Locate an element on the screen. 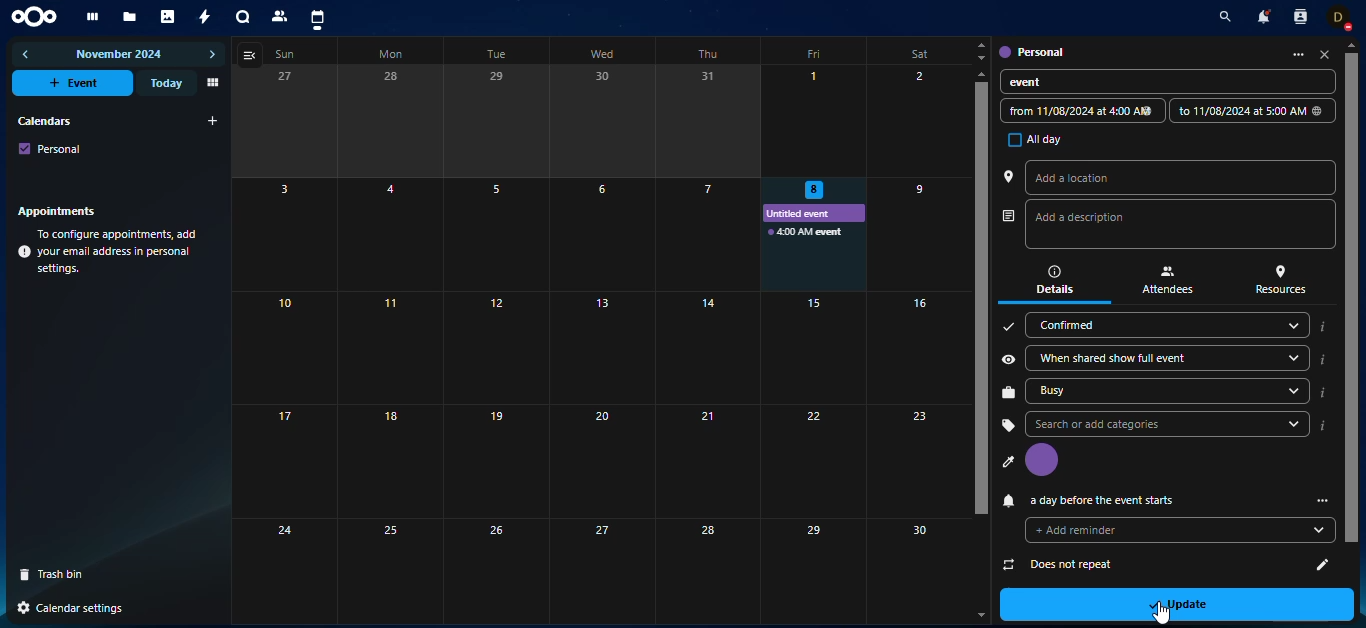 The image size is (1366, 628). drop down is located at coordinates (1291, 357).